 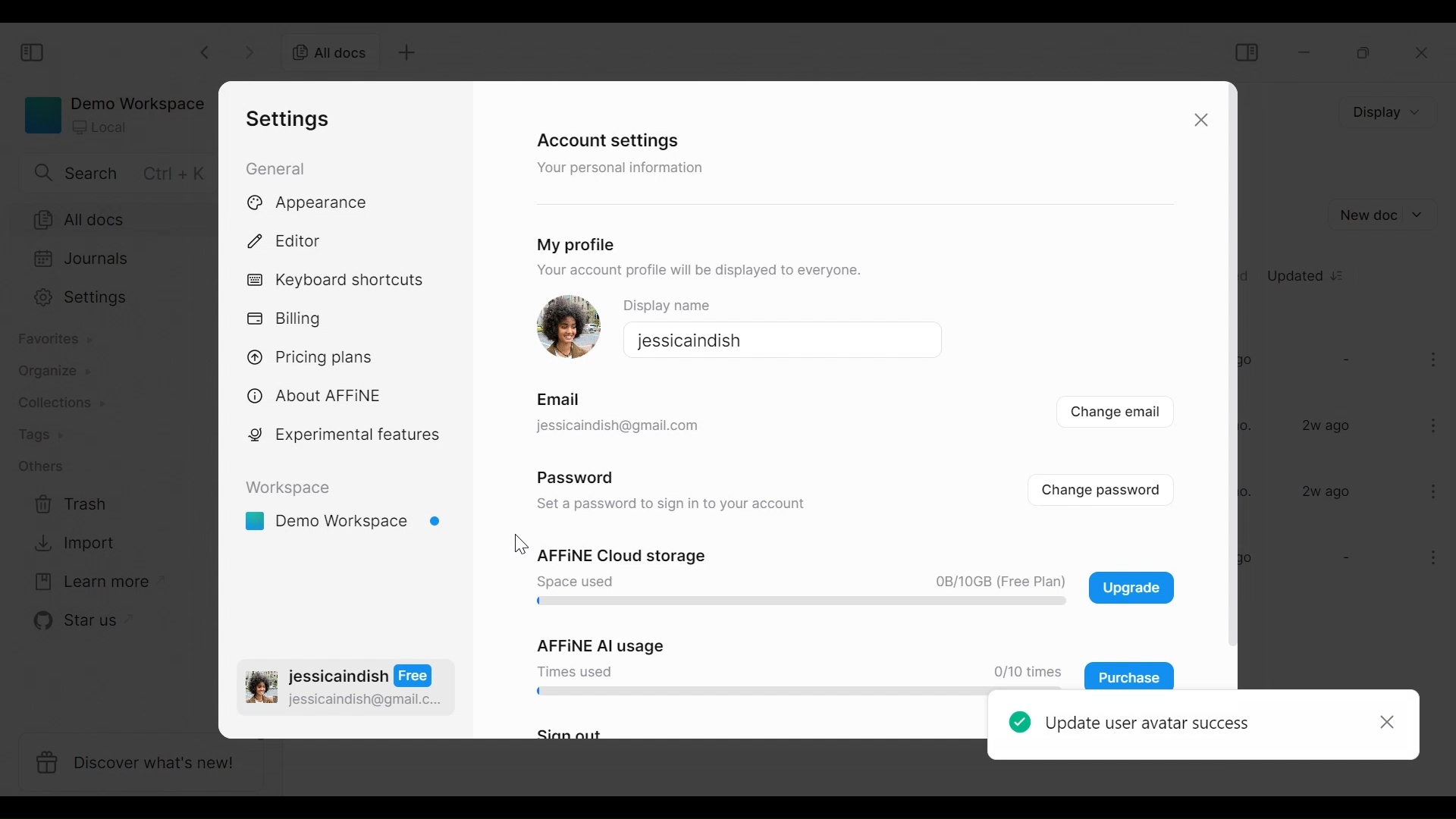 What do you see at coordinates (112, 218) in the screenshot?
I see `All documents` at bounding box center [112, 218].